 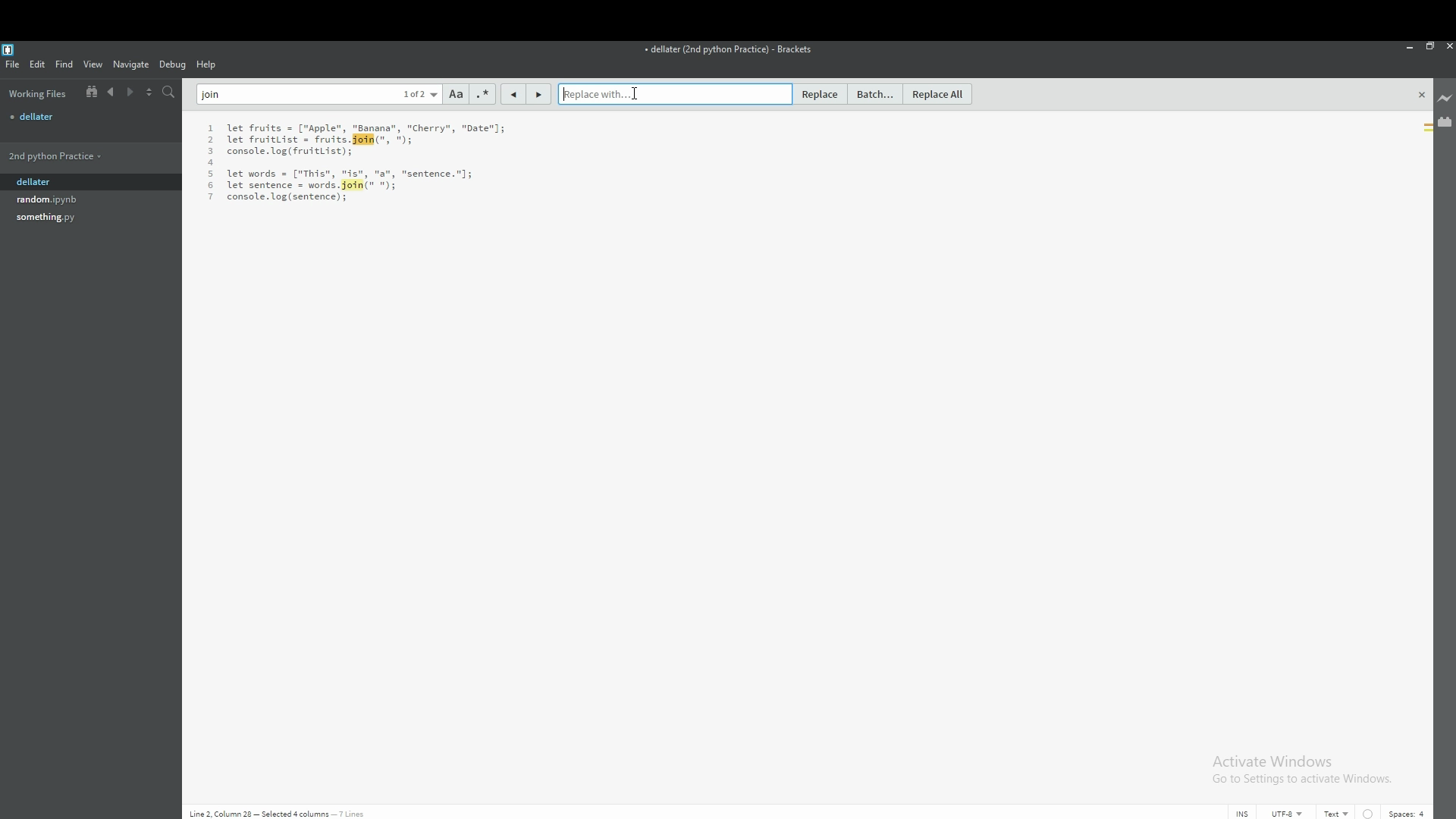 What do you see at coordinates (111, 92) in the screenshot?
I see `previous` at bounding box center [111, 92].